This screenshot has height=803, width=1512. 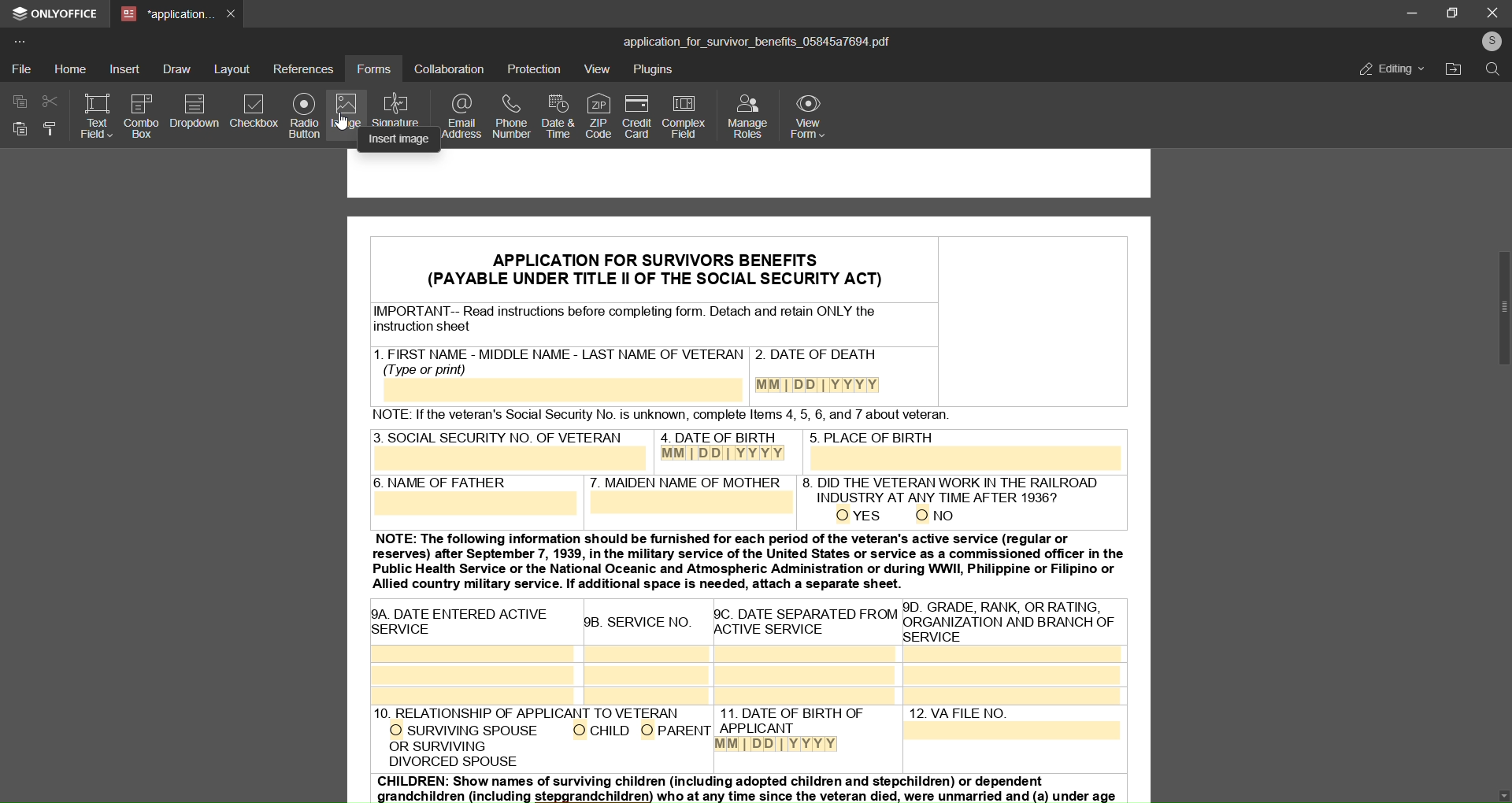 What do you see at coordinates (1492, 12) in the screenshot?
I see `close` at bounding box center [1492, 12].